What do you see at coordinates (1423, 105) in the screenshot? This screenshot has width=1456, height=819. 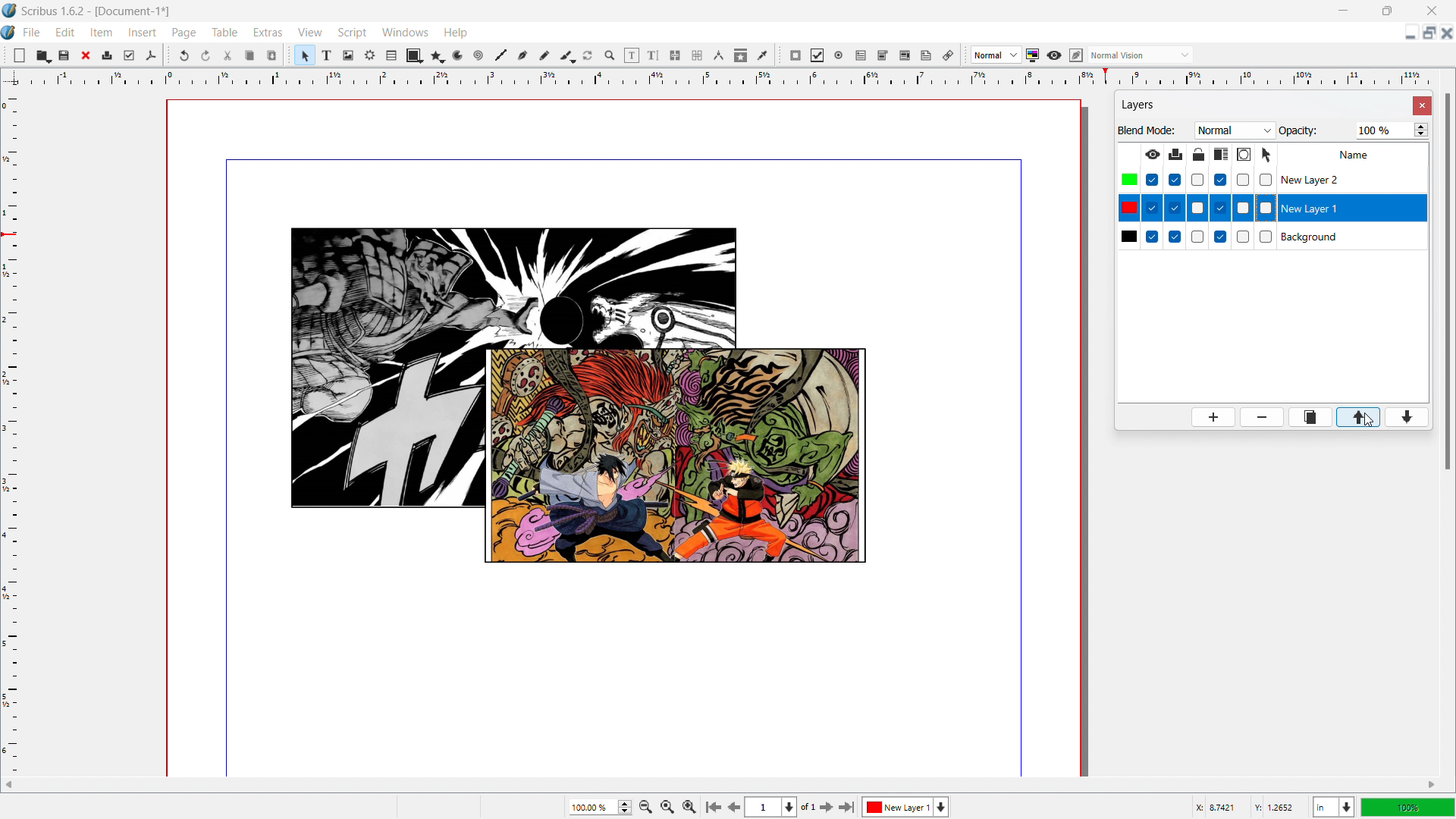 I see `close settings` at bounding box center [1423, 105].